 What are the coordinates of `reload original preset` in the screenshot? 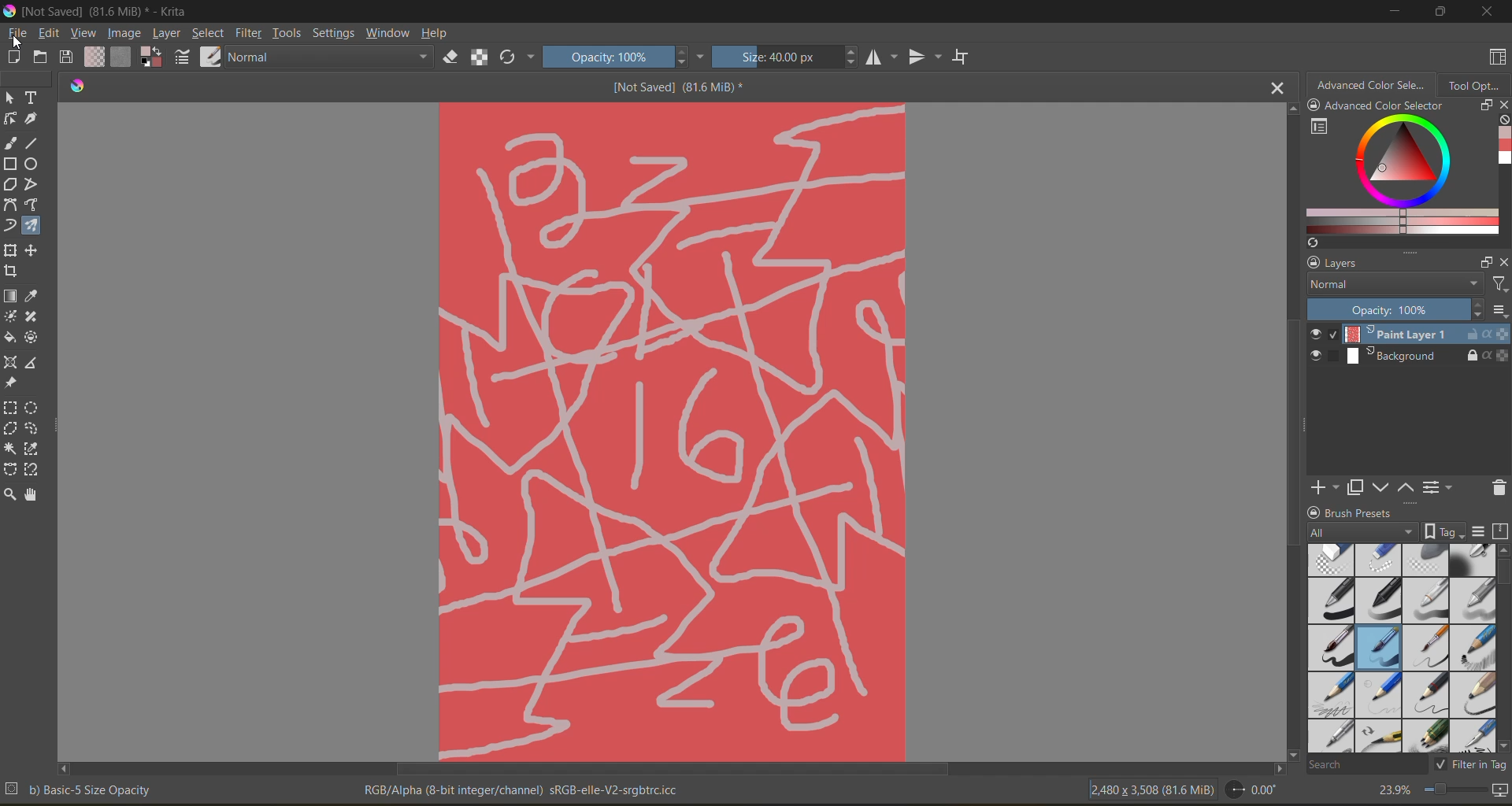 It's located at (514, 57).